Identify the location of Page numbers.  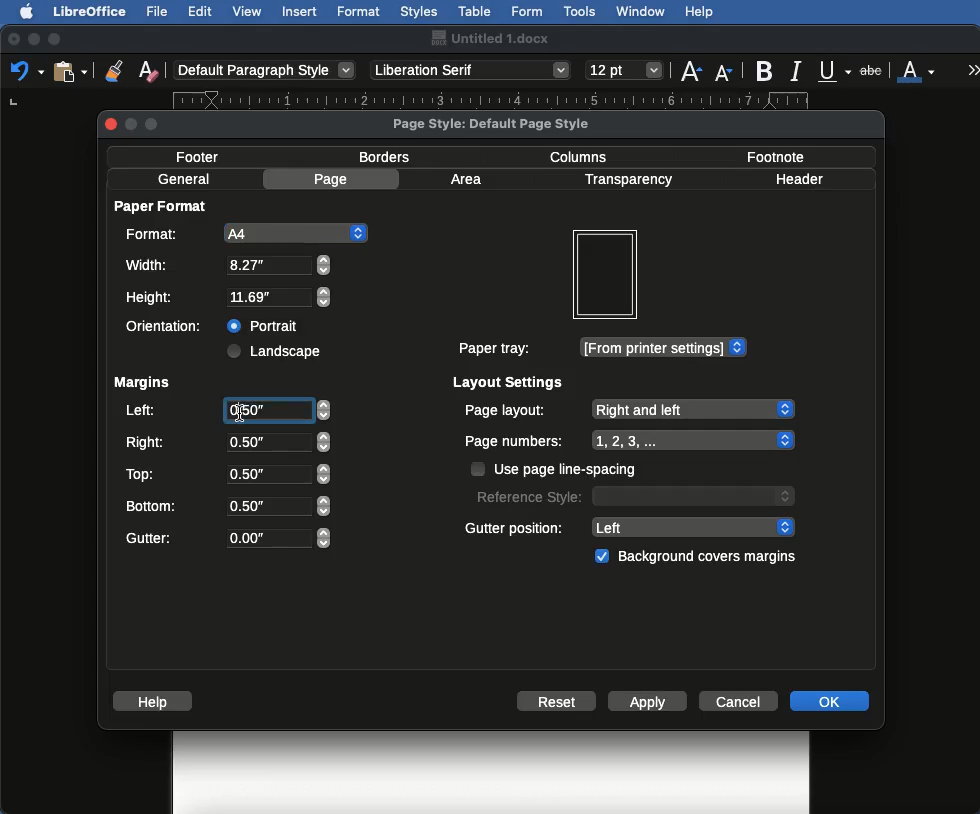
(630, 441).